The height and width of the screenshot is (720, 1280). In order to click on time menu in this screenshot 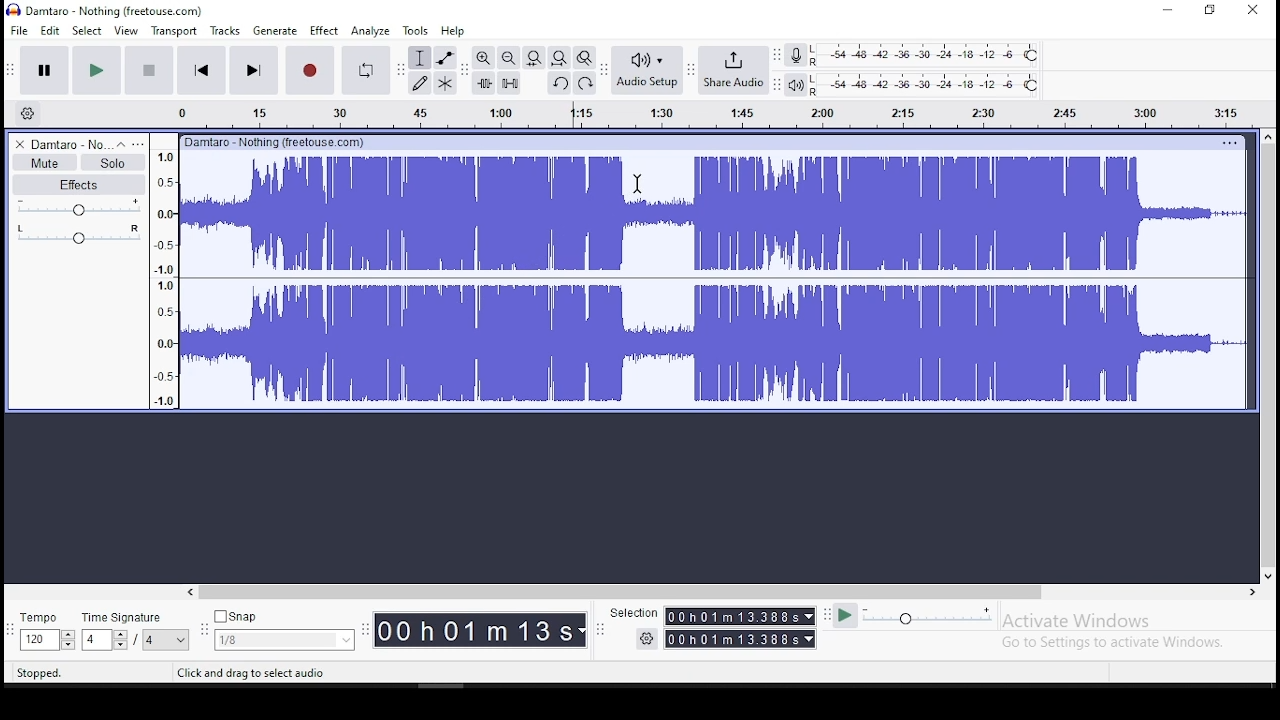, I will do `click(479, 629)`.